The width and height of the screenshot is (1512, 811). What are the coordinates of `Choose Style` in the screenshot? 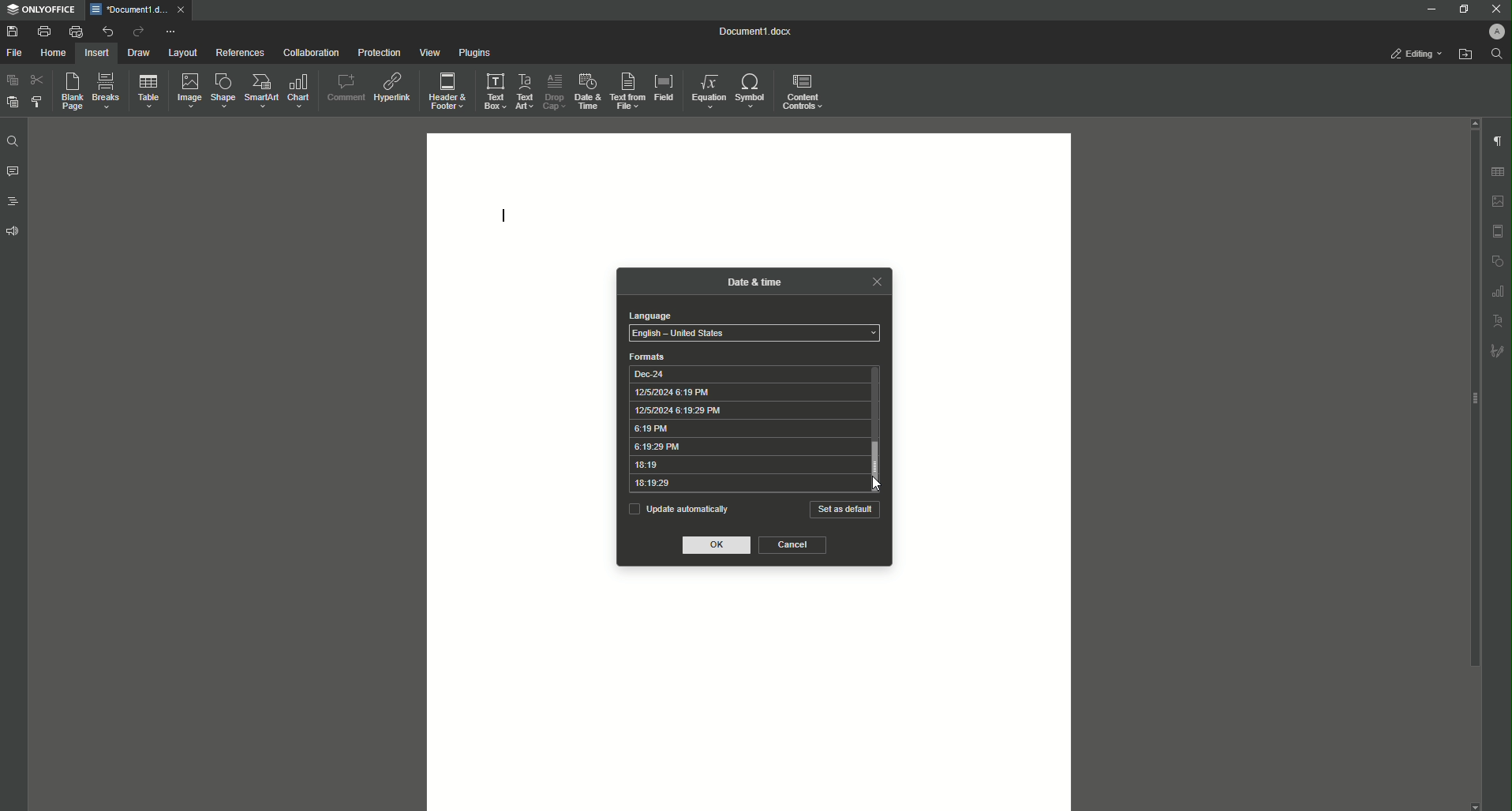 It's located at (37, 102).